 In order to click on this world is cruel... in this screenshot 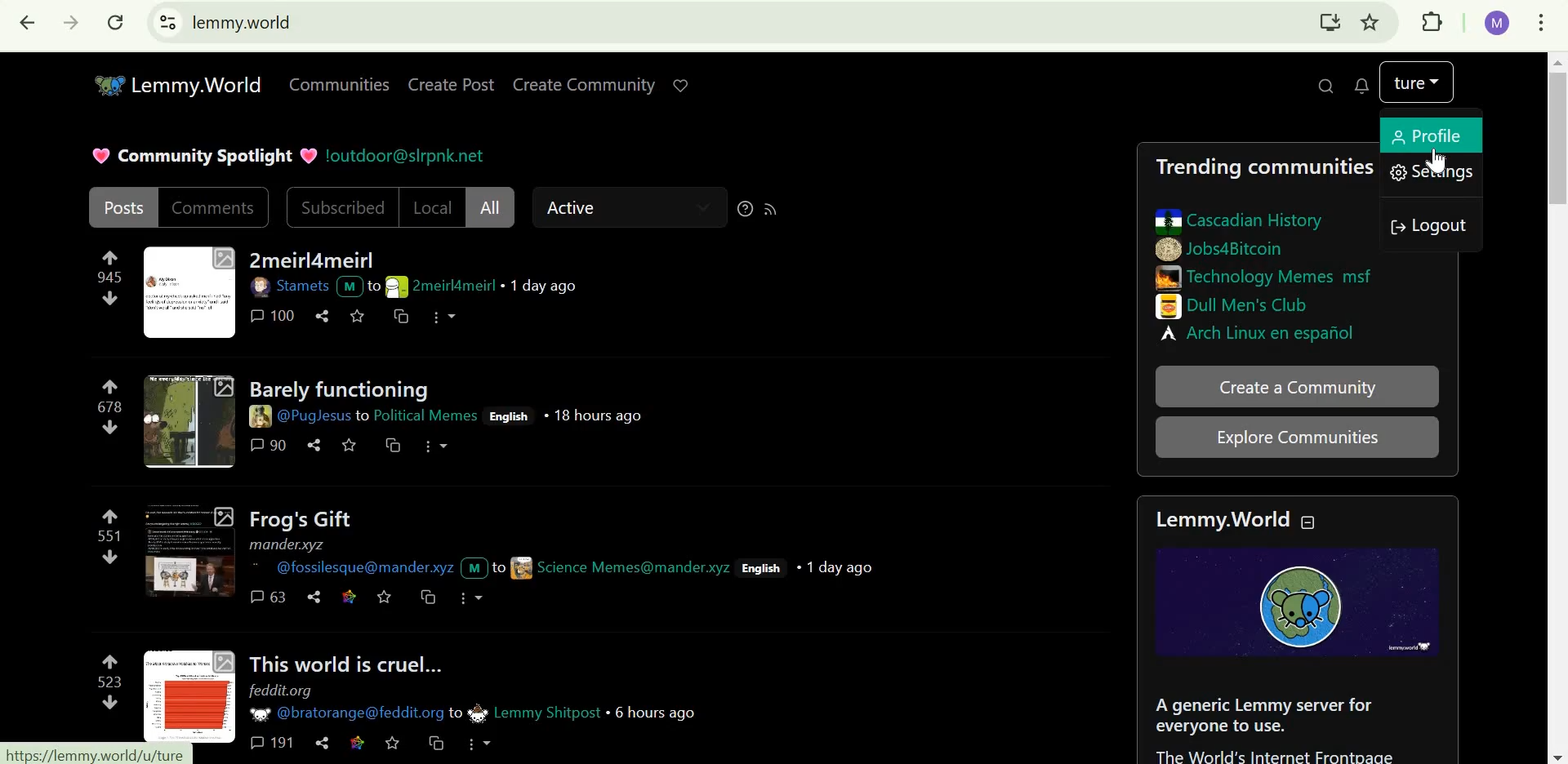, I will do `click(345, 661)`.